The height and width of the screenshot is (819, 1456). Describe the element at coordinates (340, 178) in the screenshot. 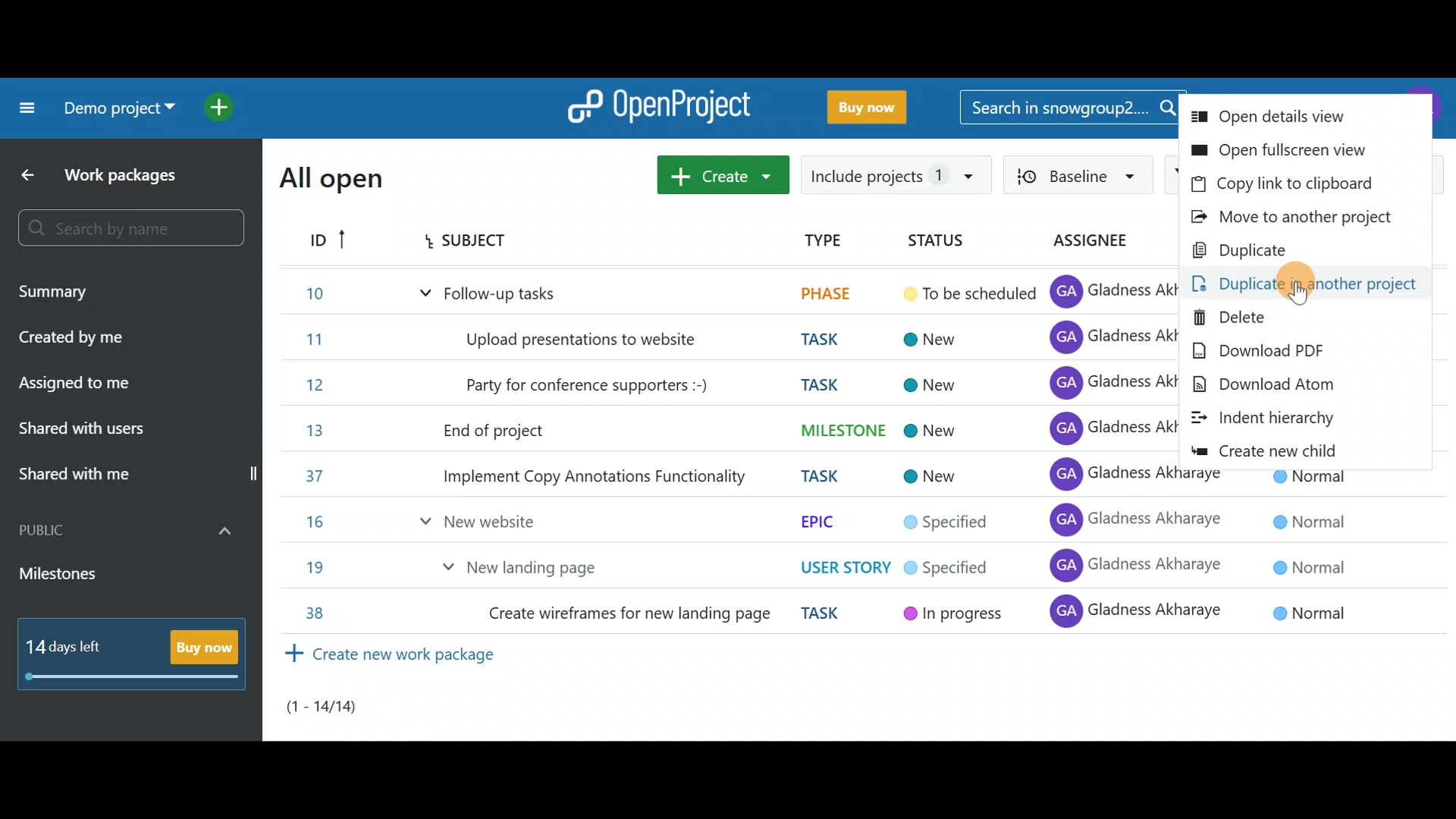

I see `All open` at that location.